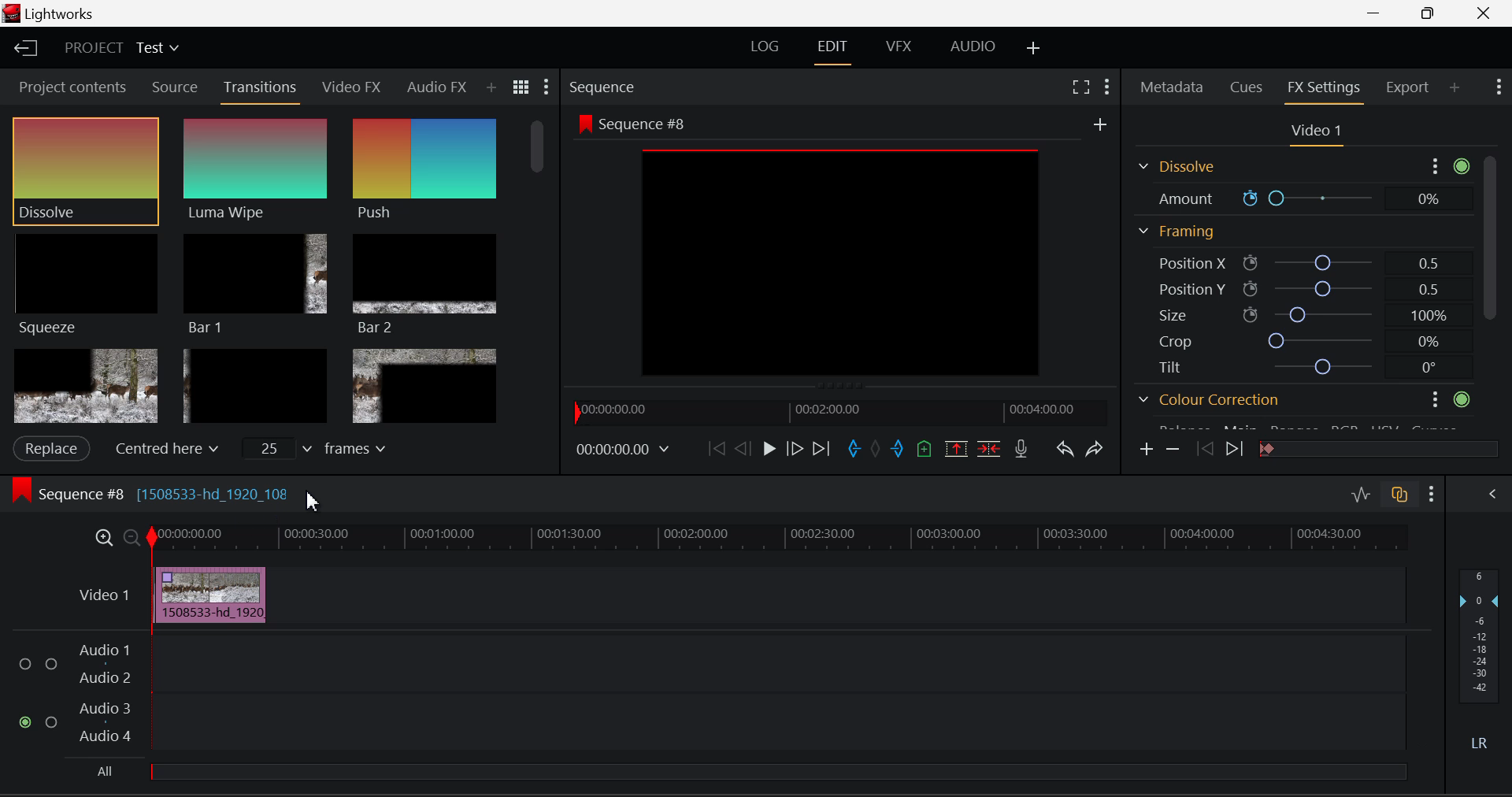 The width and height of the screenshot is (1512, 797). Describe the element at coordinates (54, 13) in the screenshot. I see `Window Title` at that location.